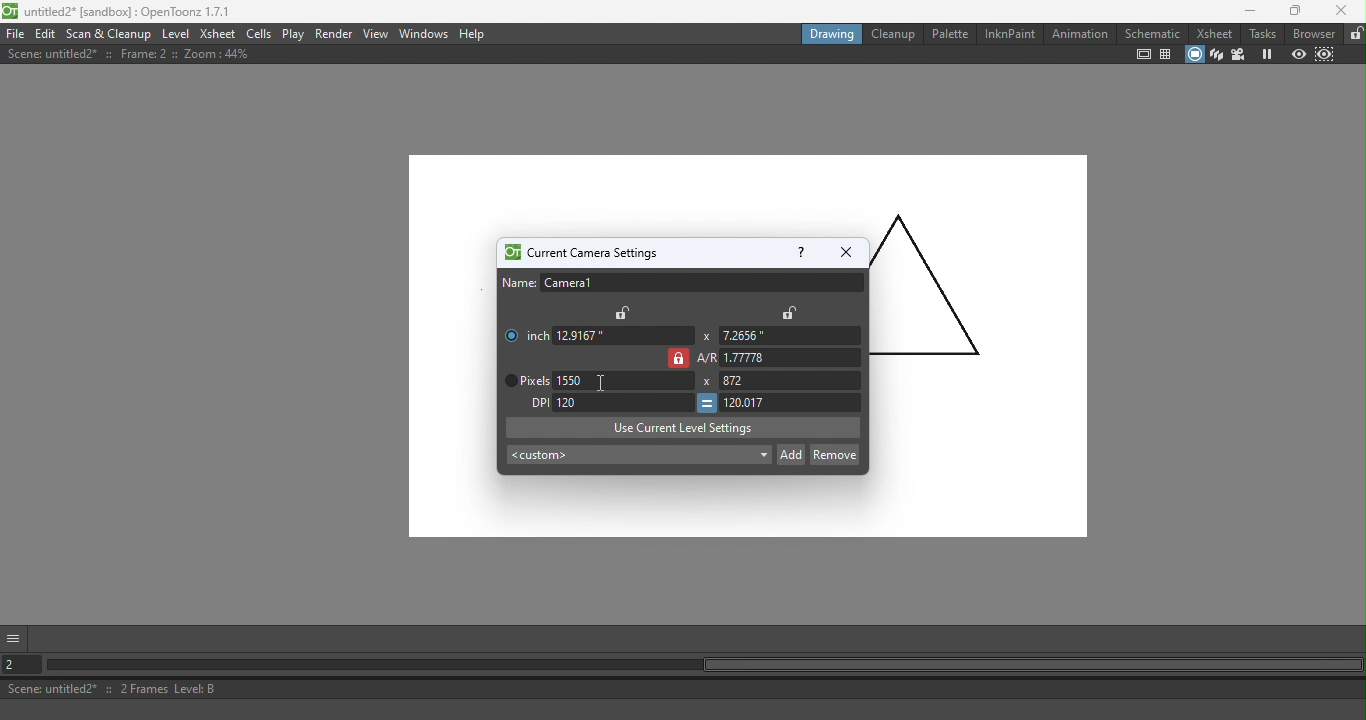 This screenshot has width=1366, height=720. Describe the element at coordinates (1216, 55) in the screenshot. I see `3D view` at that location.